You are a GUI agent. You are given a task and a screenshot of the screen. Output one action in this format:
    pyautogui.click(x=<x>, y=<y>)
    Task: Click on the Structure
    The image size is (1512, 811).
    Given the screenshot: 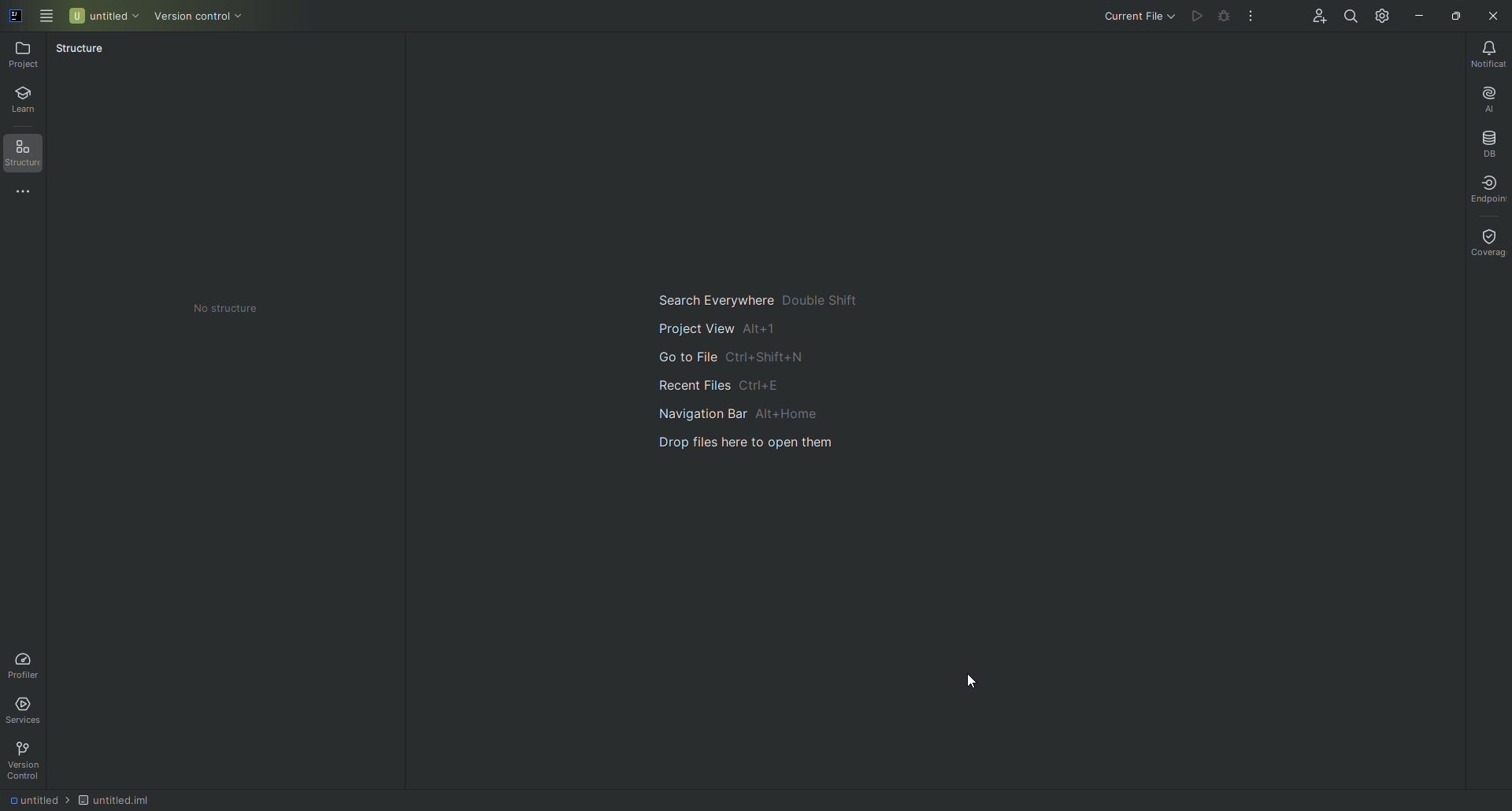 What is the action you would take?
    pyautogui.click(x=88, y=52)
    